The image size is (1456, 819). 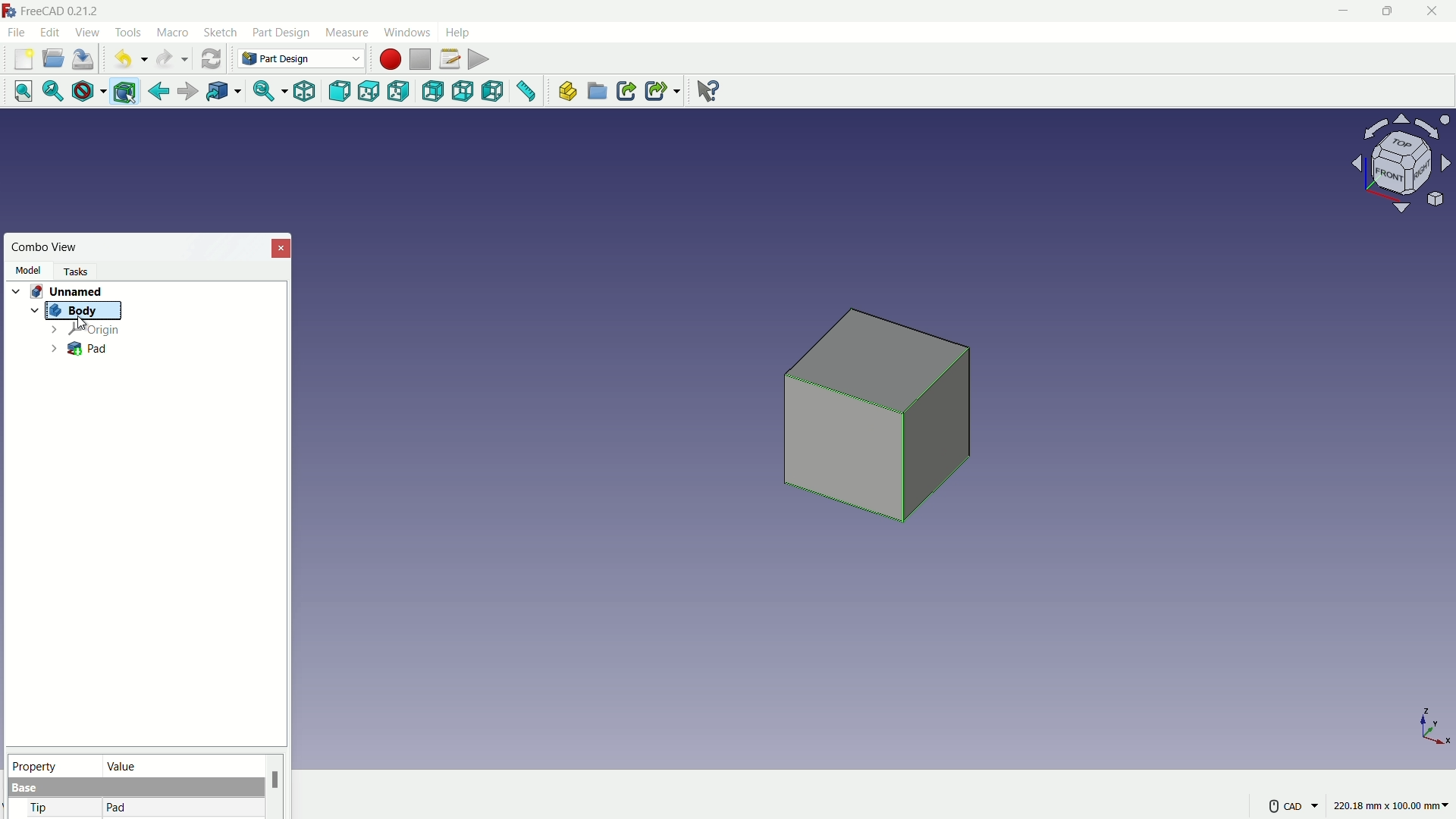 I want to click on Pad, so click(x=79, y=350).